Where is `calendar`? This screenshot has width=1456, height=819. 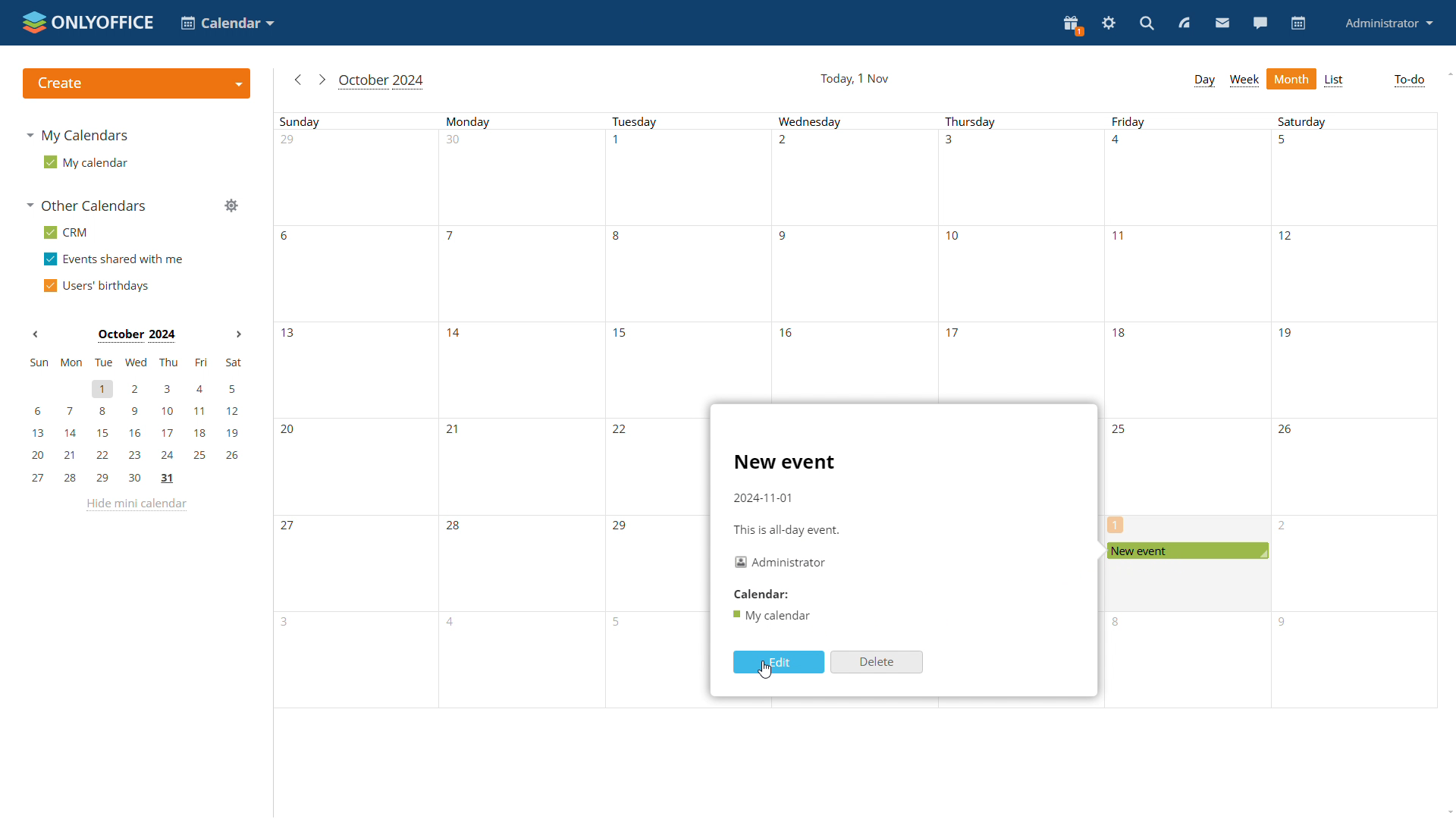
calendar is located at coordinates (1299, 24).